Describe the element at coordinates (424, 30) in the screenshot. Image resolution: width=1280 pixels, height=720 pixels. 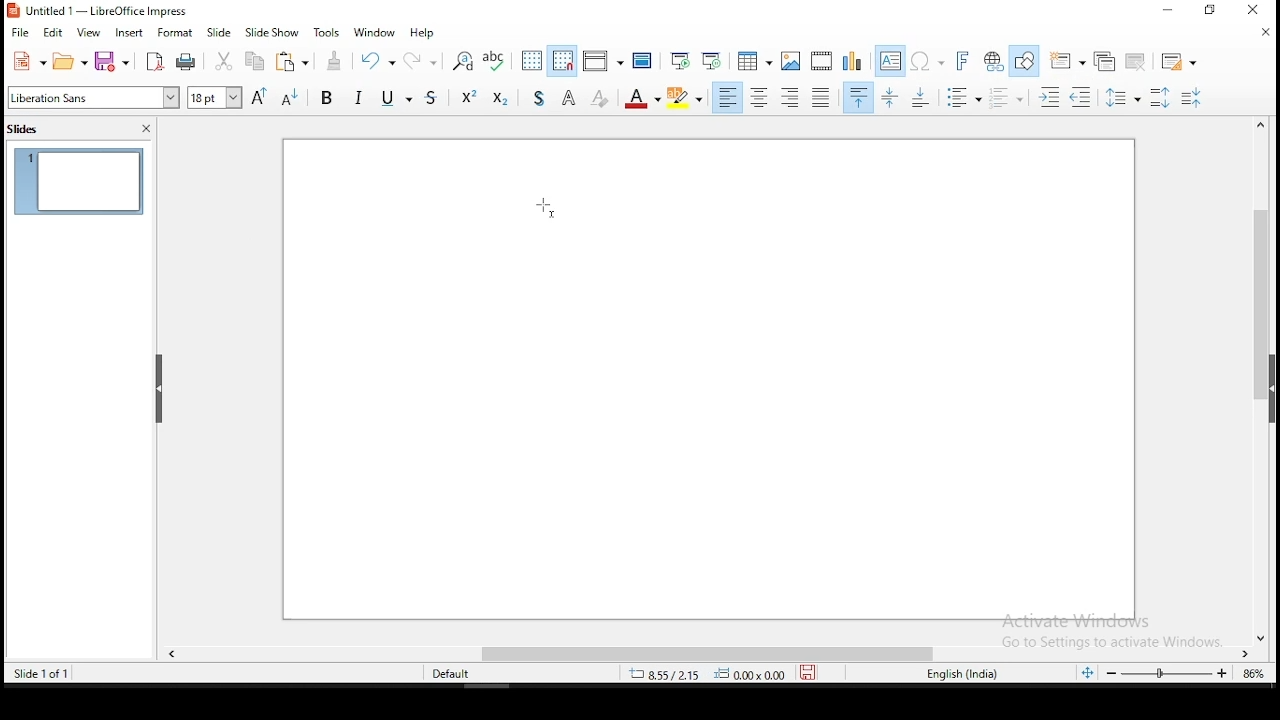
I see `help` at that location.